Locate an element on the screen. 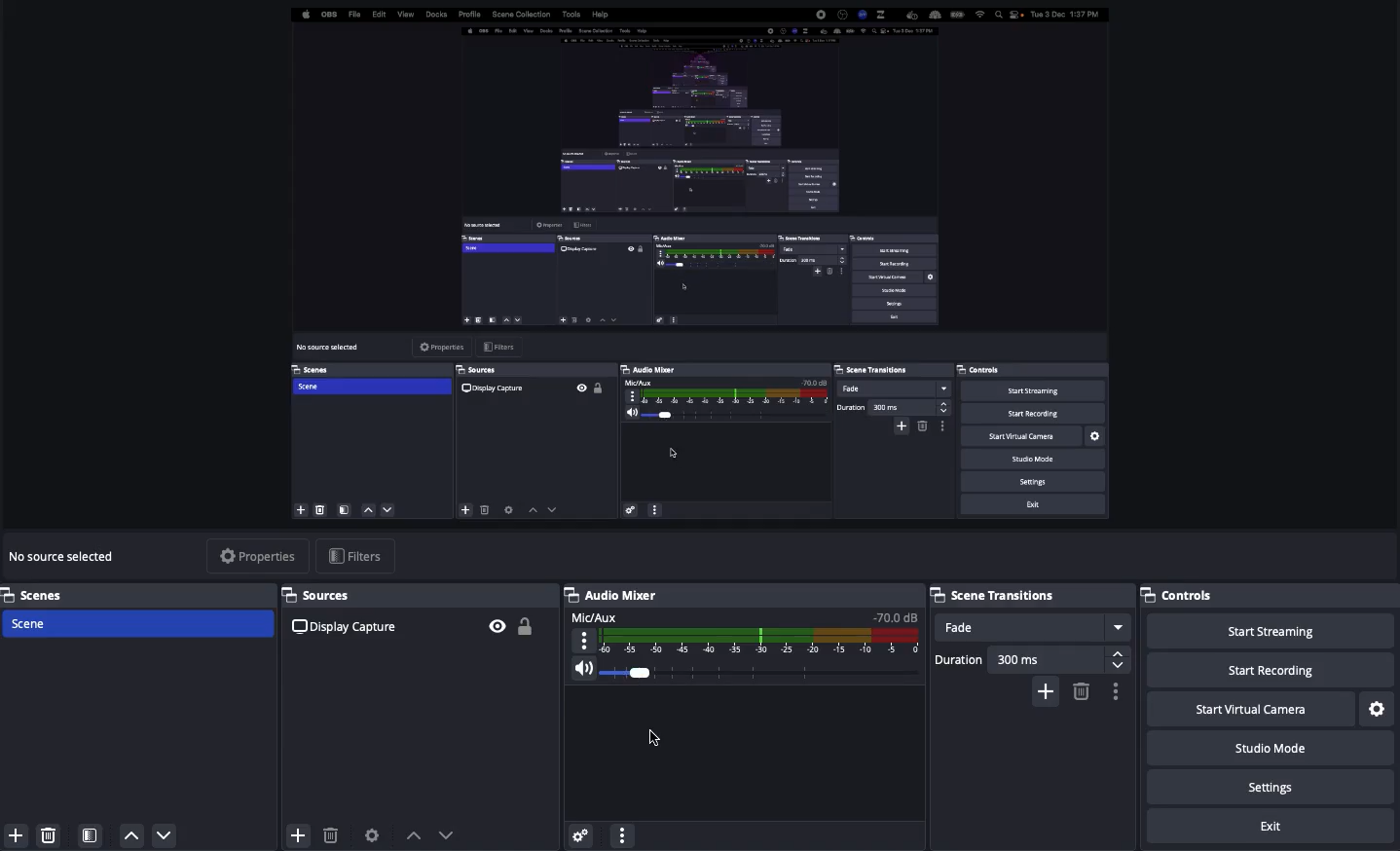  Settings is located at coordinates (579, 832).